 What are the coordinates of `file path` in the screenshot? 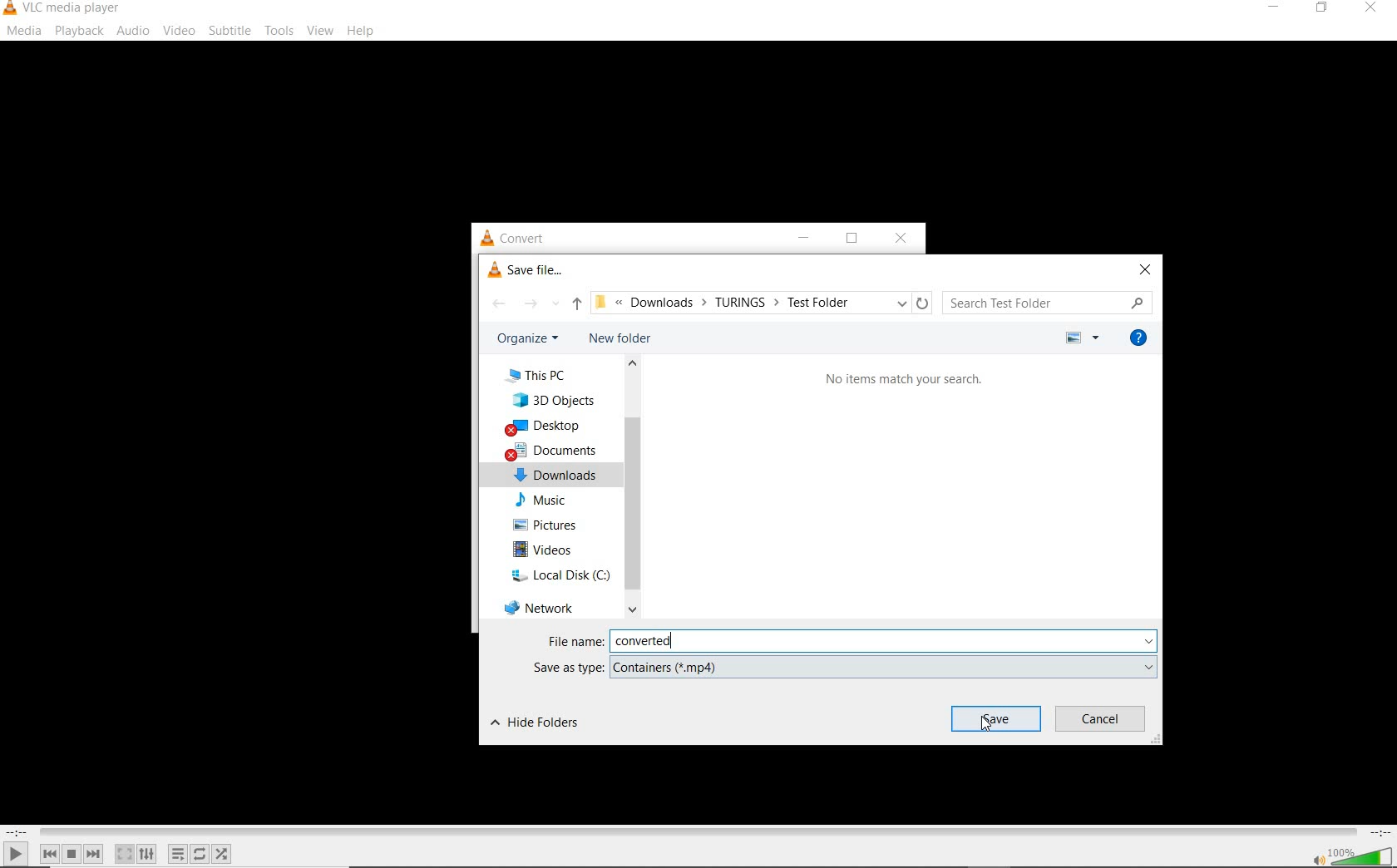 It's located at (738, 303).